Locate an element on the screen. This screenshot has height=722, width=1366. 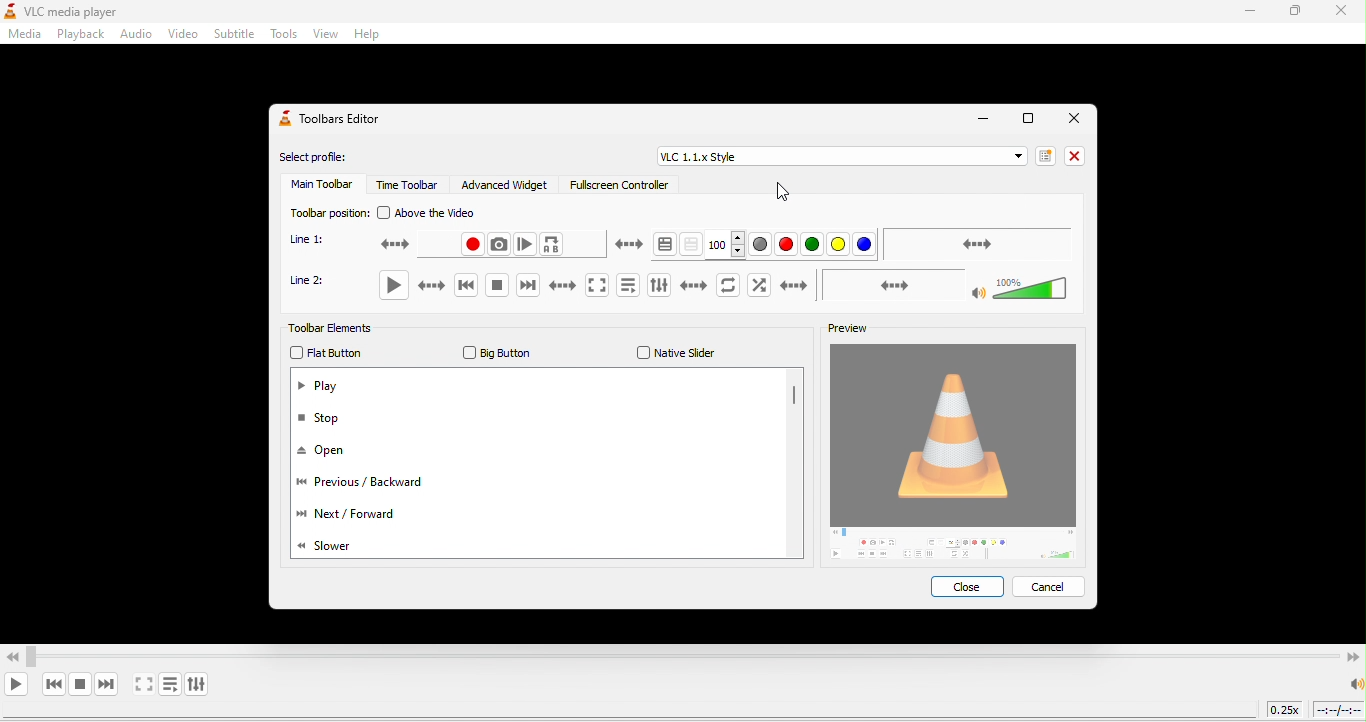
tollbar elements is located at coordinates (342, 330).